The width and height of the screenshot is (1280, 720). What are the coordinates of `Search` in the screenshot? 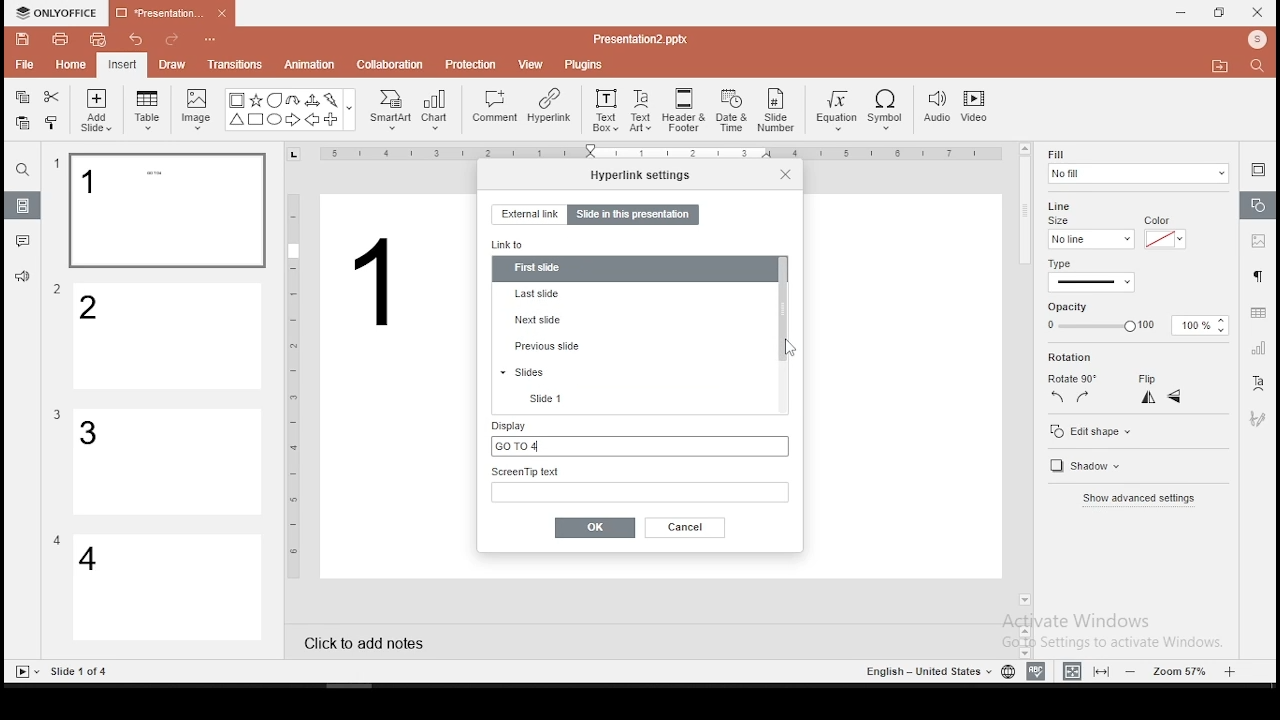 It's located at (1263, 67).